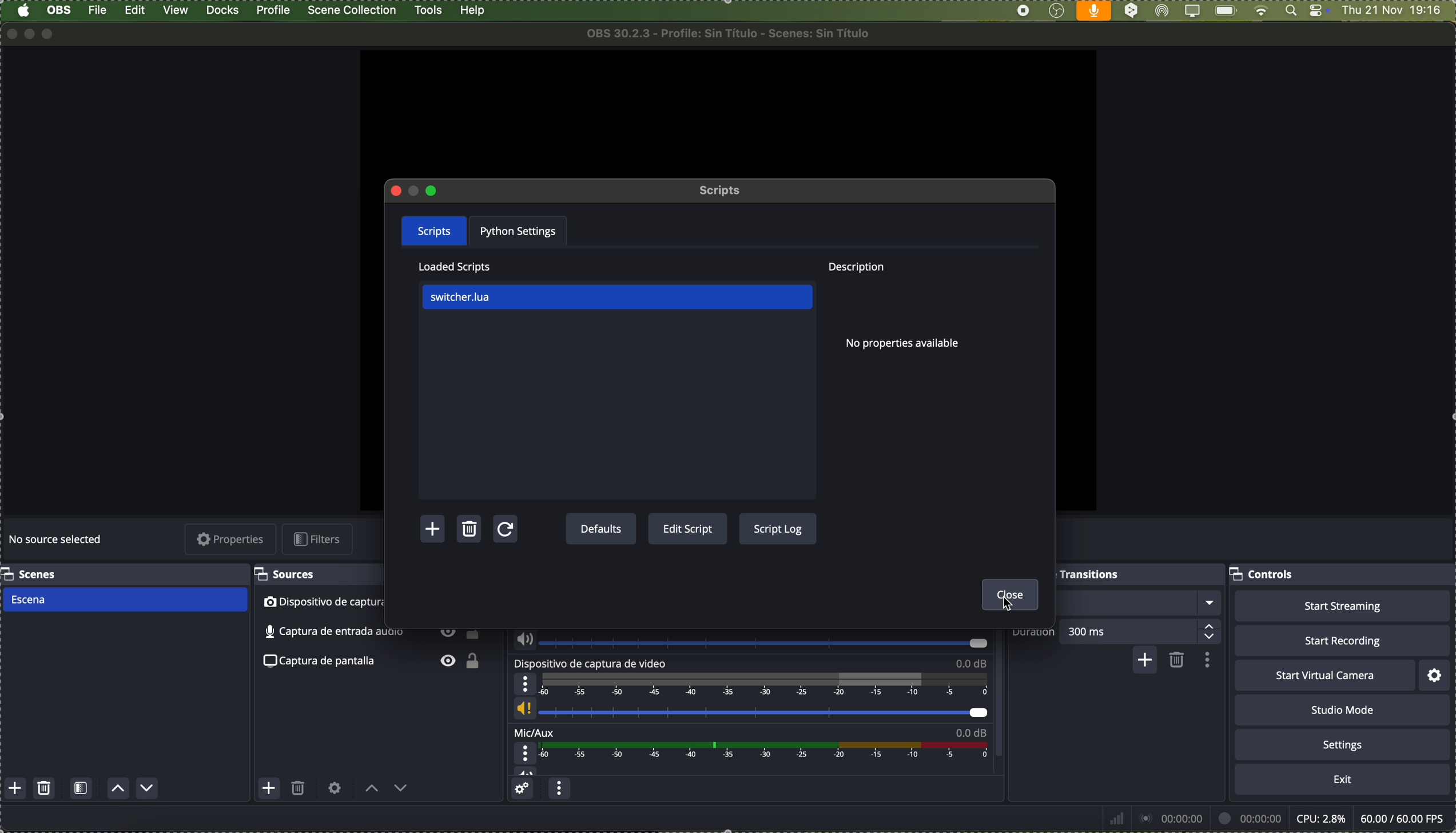 The width and height of the screenshot is (1456, 833). Describe the element at coordinates (504, 531) in the screenshot. I see `refresh` at that location.